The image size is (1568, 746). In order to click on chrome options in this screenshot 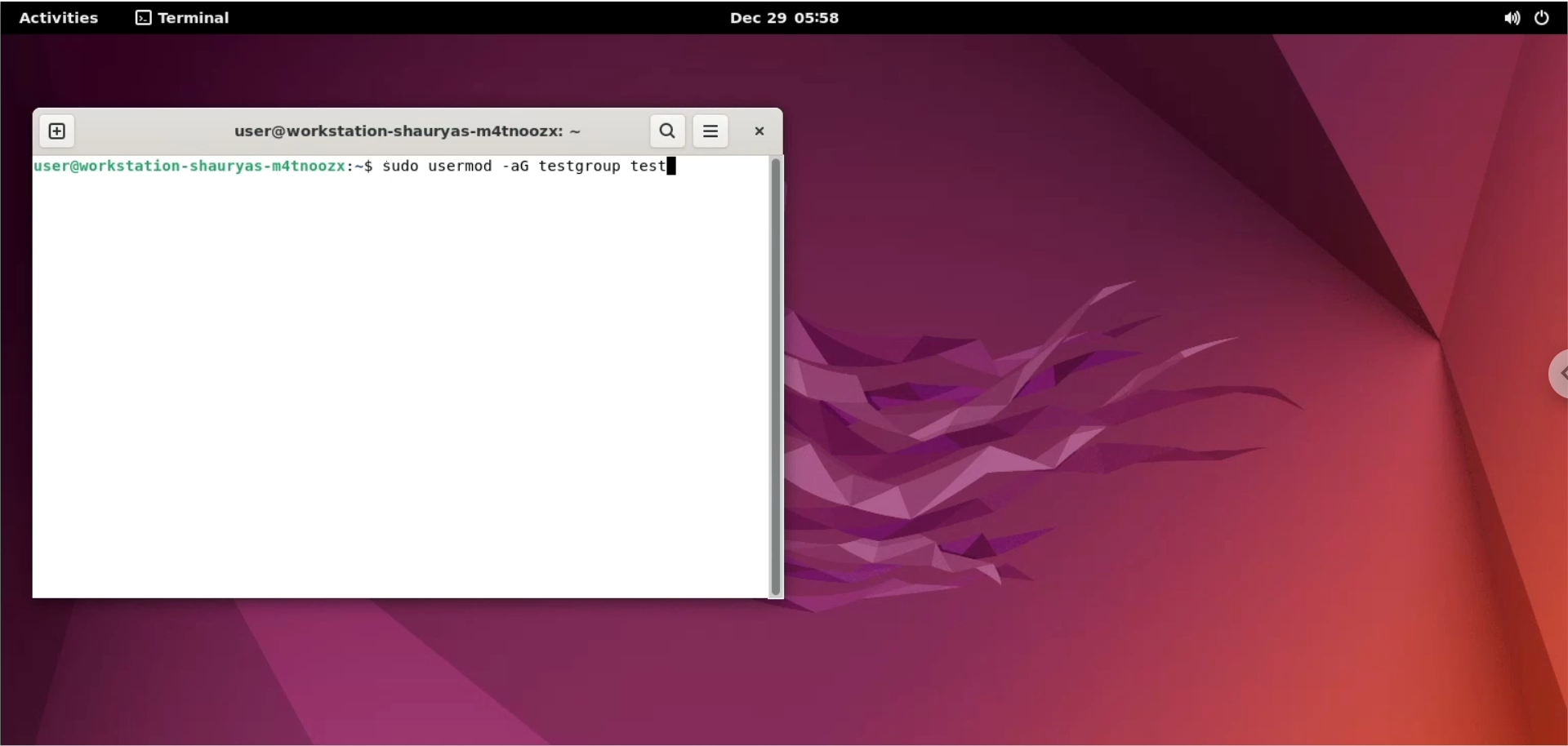, I will do `click(1552, 373)`.